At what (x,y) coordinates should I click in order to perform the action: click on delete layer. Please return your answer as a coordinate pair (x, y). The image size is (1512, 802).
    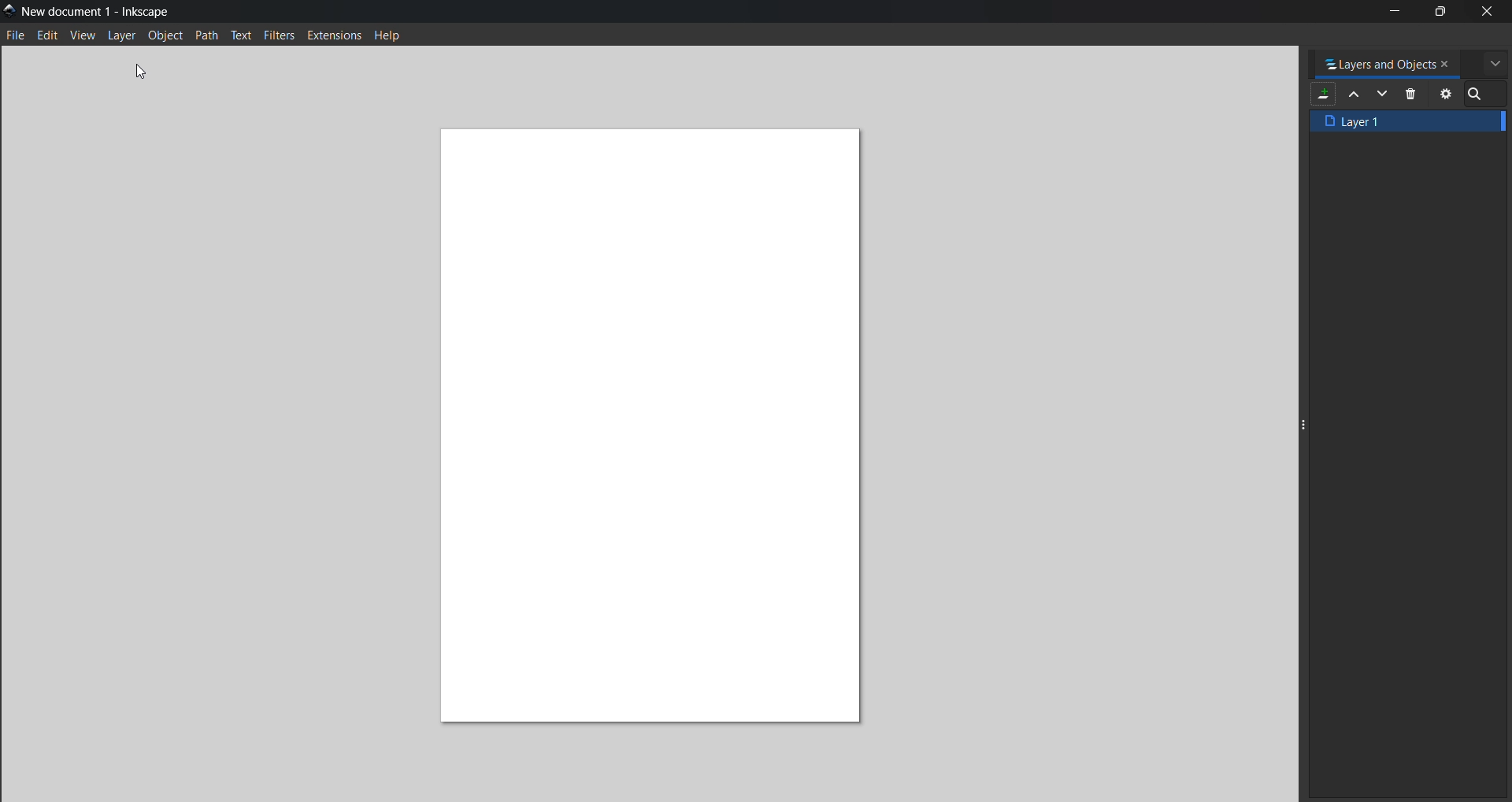
    Looking at the image, I should click on (1414, 95).